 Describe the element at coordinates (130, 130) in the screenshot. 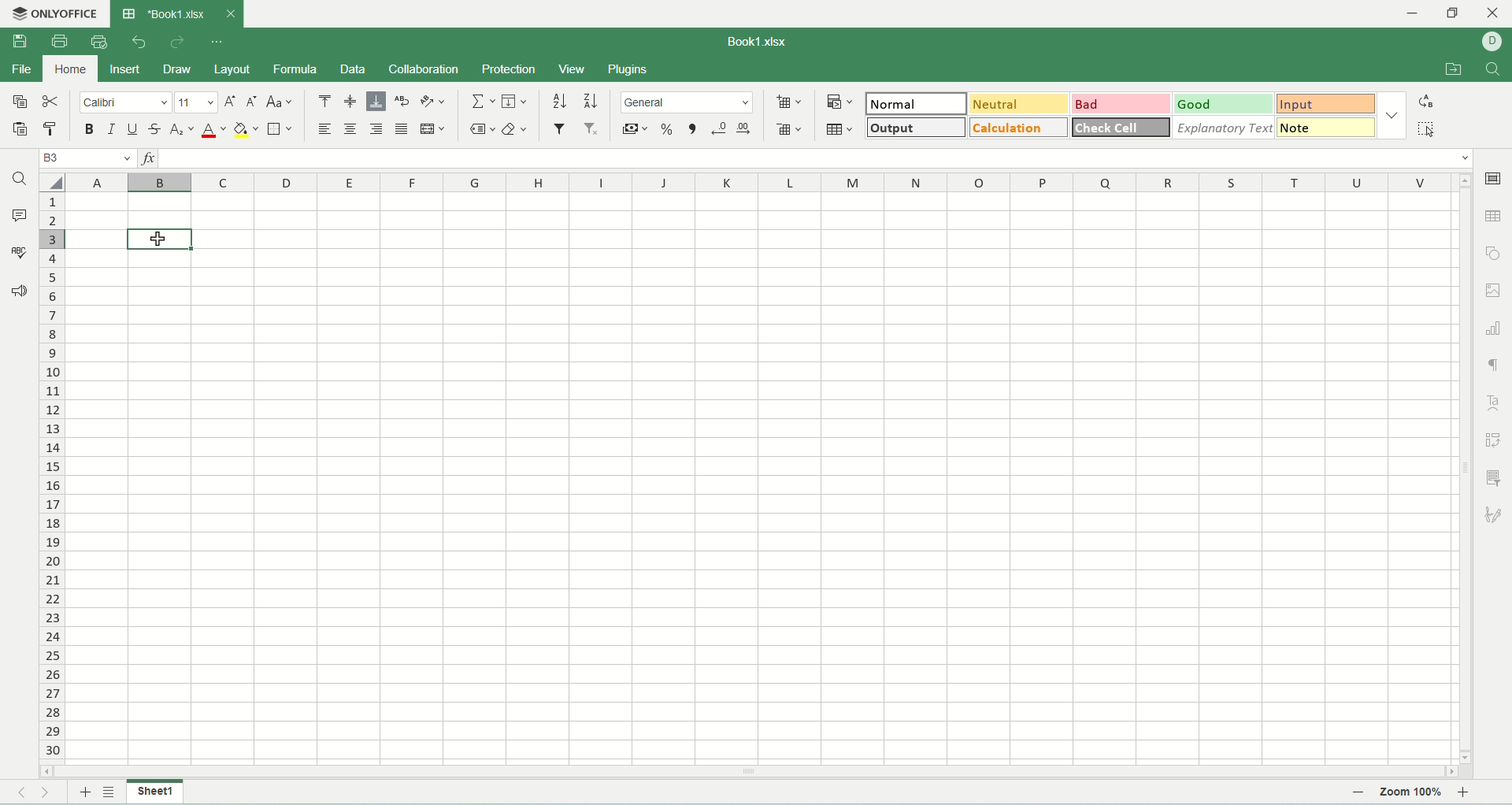

I see `underline` at that location.